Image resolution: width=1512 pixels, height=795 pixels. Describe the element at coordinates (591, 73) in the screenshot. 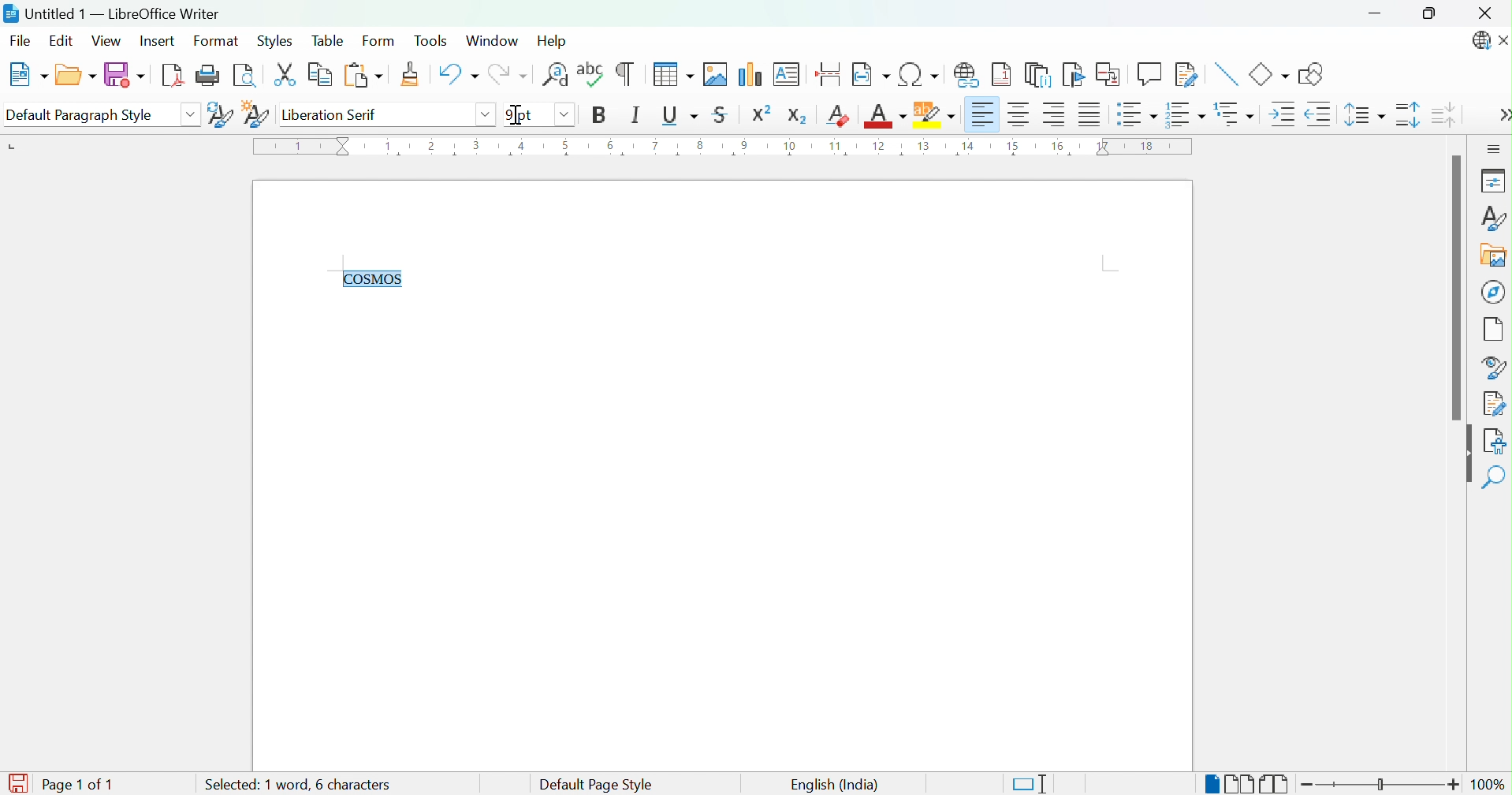

I see `Check Spelling` at that location.